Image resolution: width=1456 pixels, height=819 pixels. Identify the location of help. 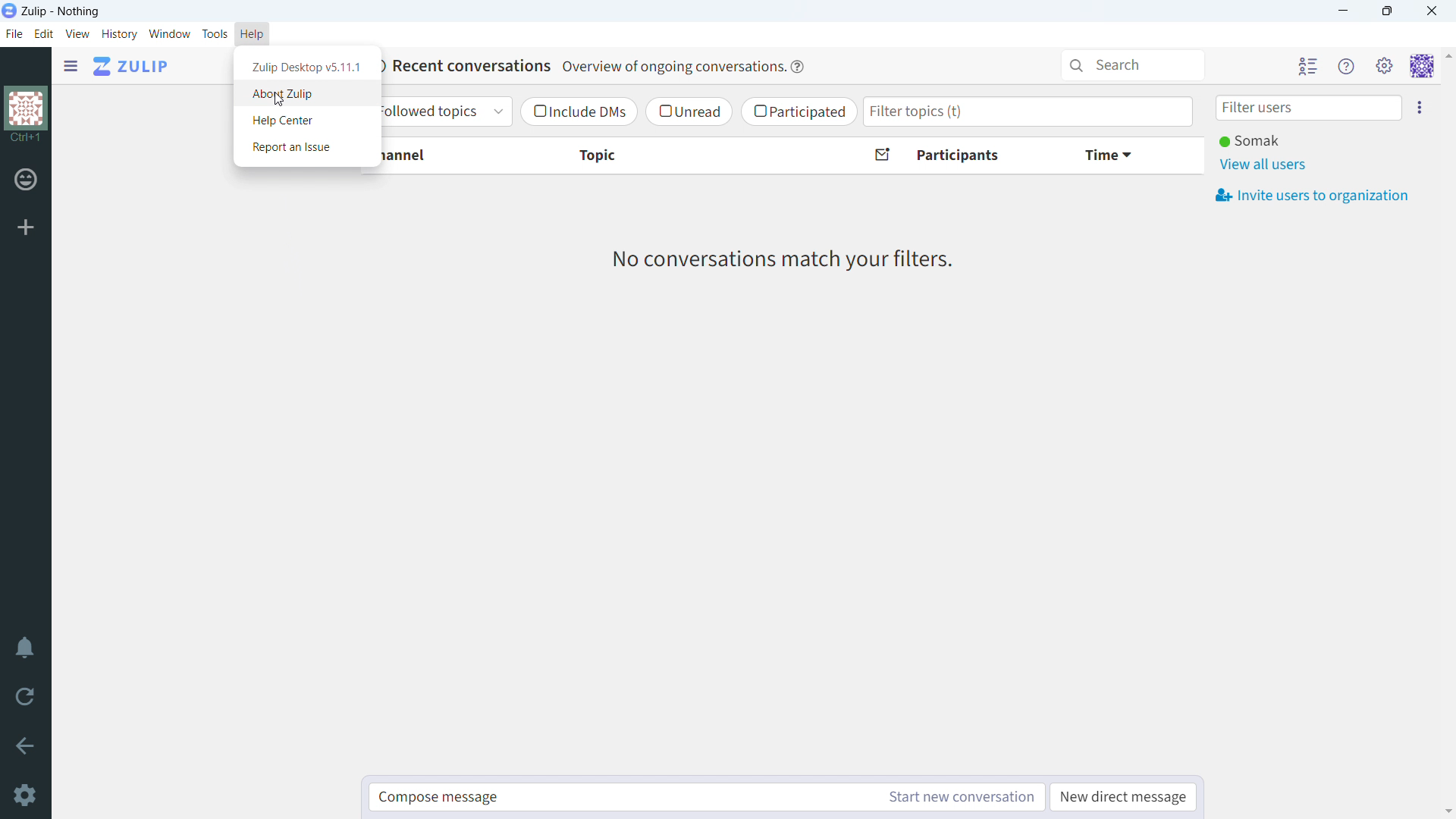
(798, 66).